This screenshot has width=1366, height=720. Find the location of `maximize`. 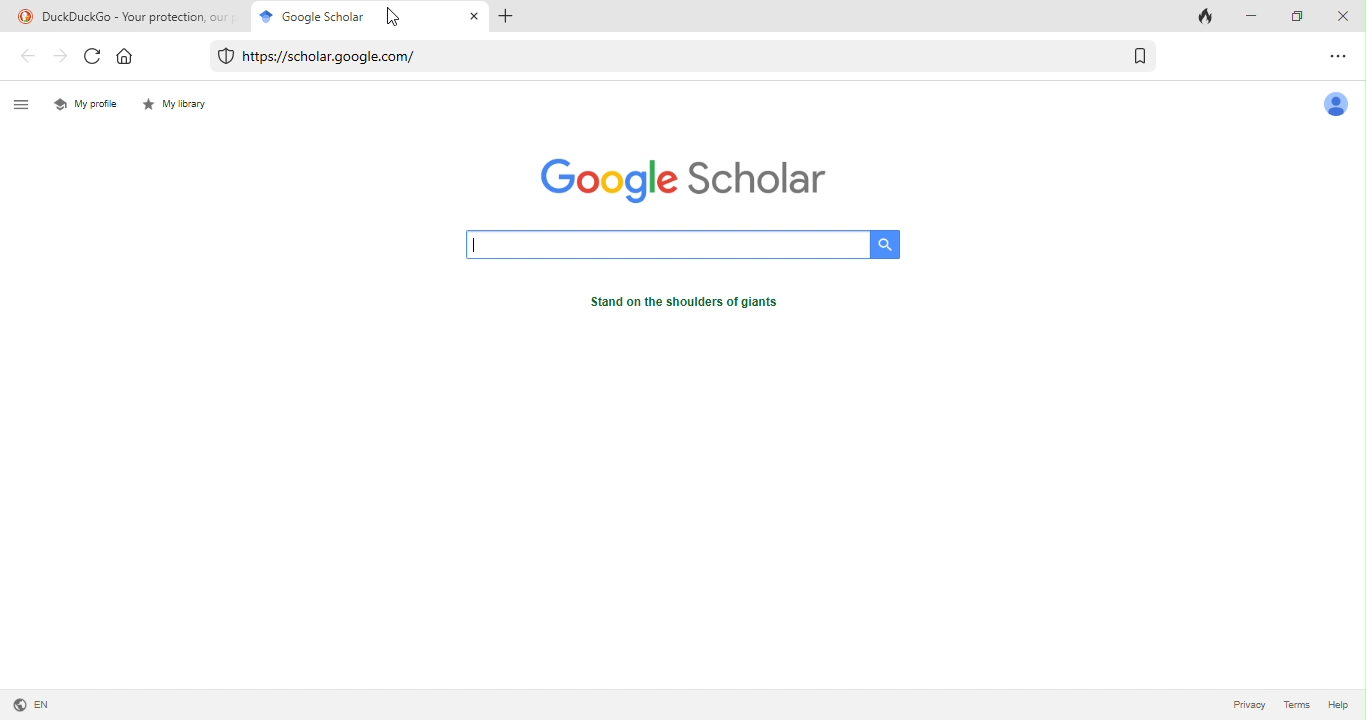

maximize is located at coordinates (1301, 15).